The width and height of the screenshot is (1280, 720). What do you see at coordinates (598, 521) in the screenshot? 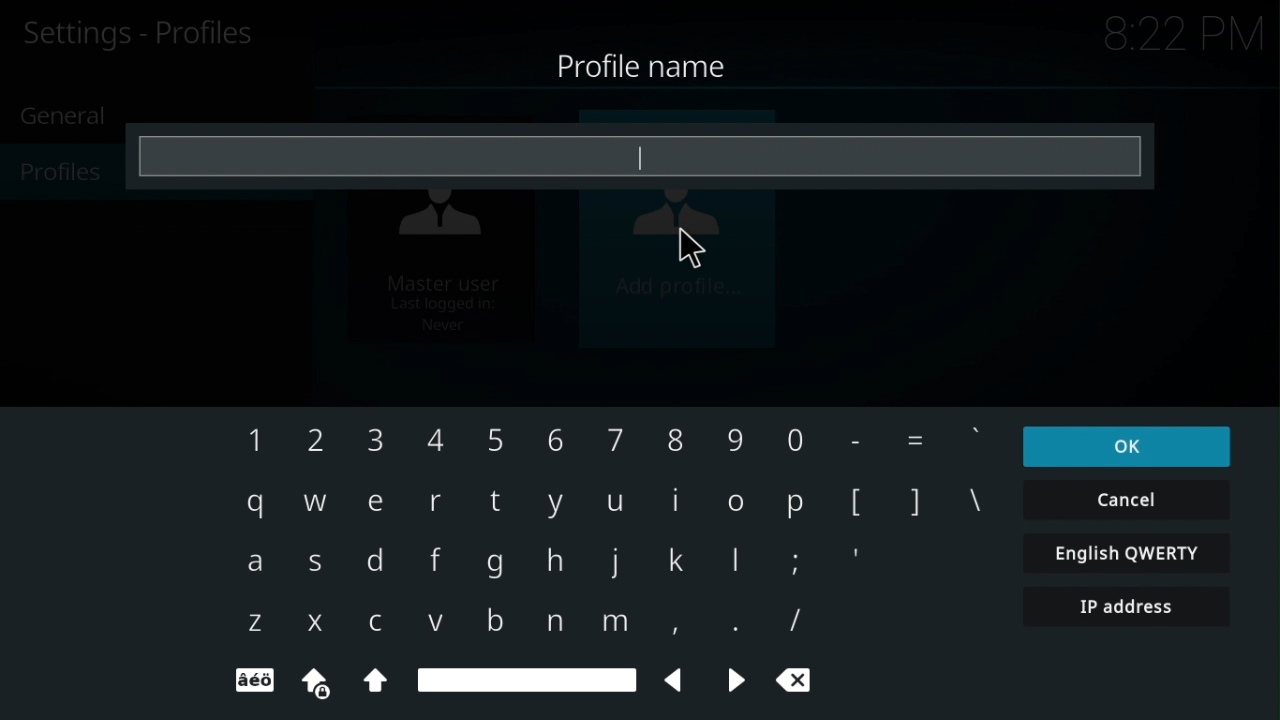
I see `onscreen keyboard` at bounding box center [598, 521].